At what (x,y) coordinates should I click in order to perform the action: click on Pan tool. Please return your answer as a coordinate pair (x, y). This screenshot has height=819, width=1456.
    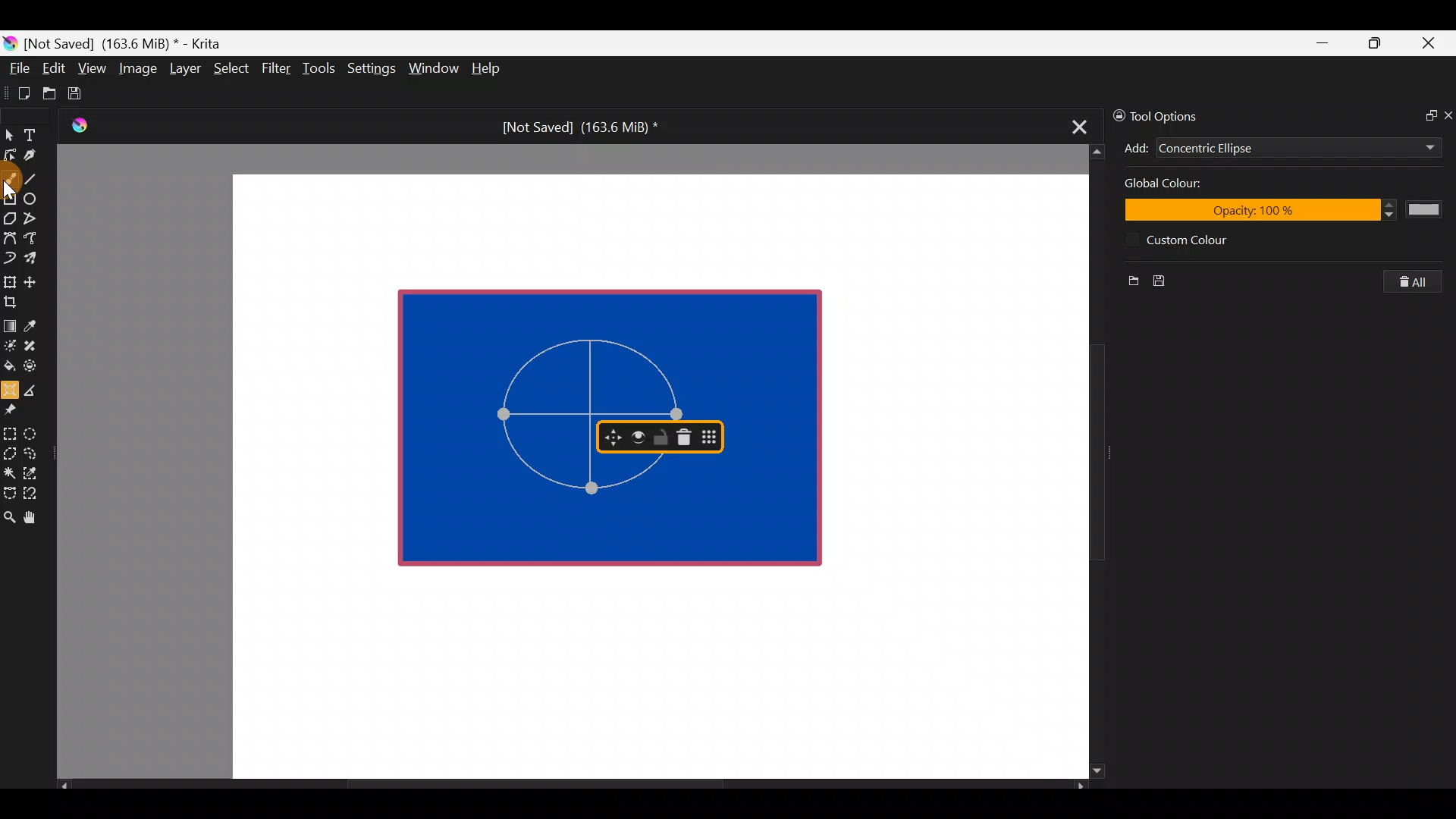
    Looking at the image, I should click on (36, 518).